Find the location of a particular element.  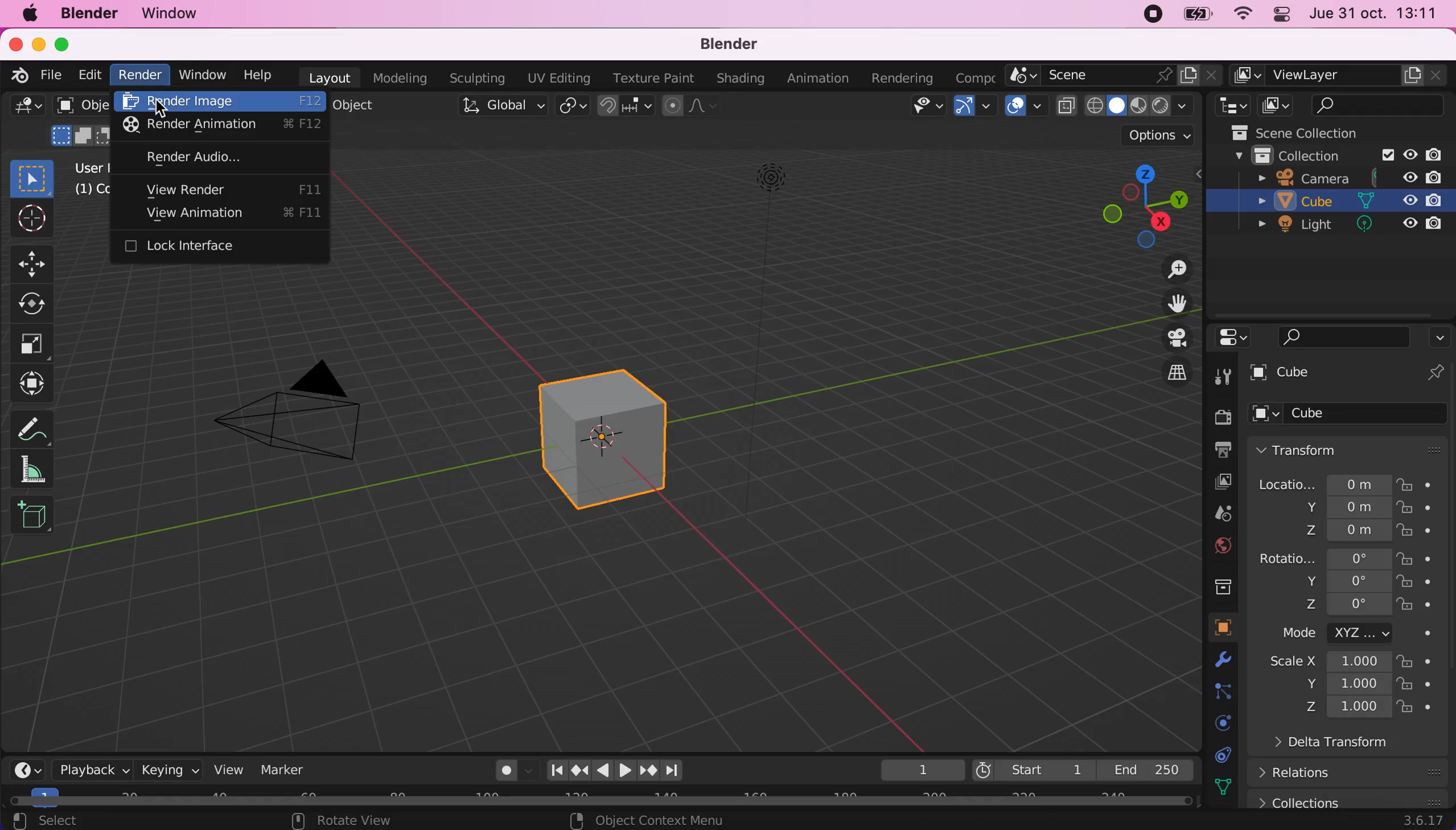

relations is located at coordinates (1302, 773).